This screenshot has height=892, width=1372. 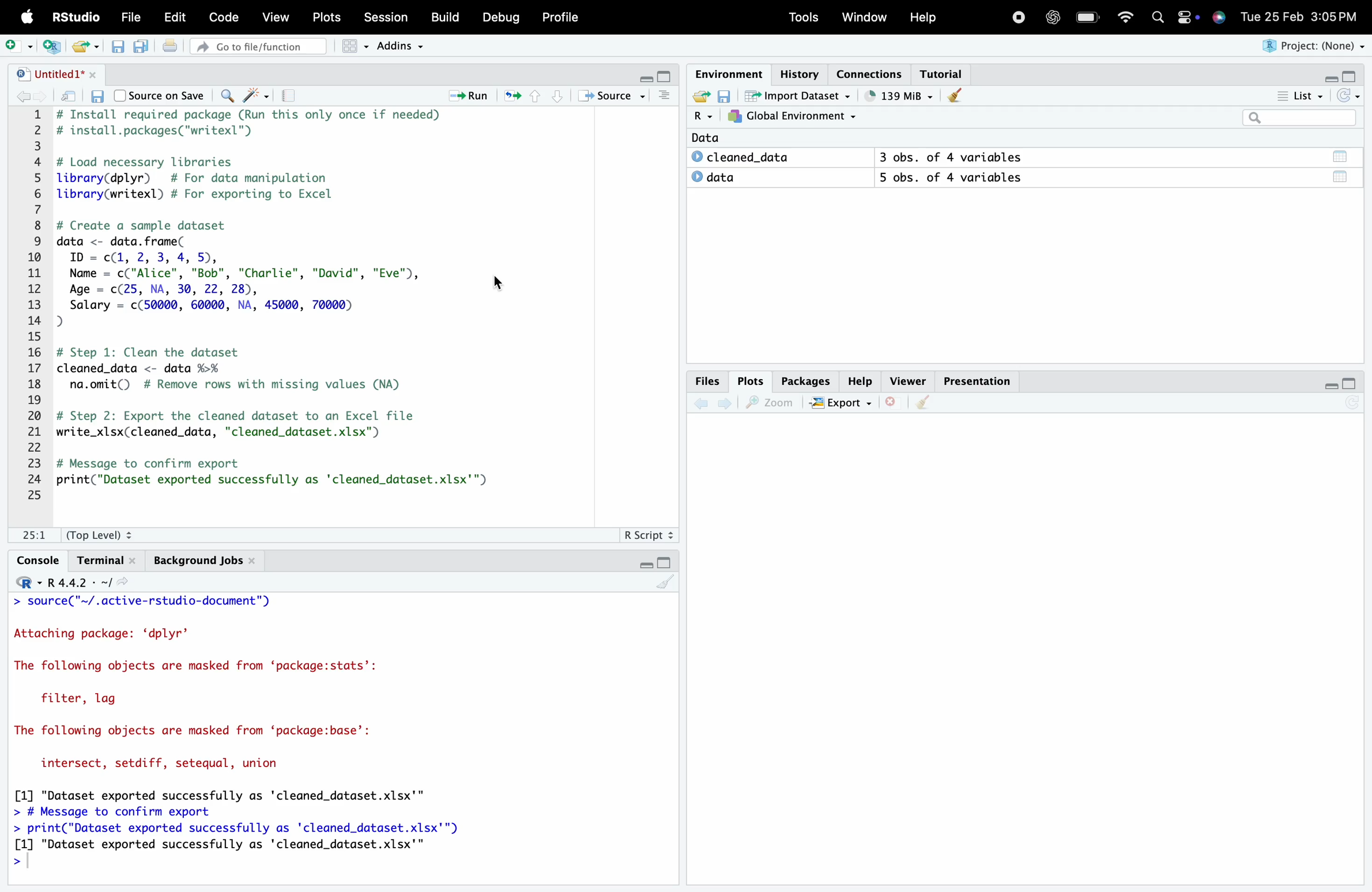 What do you see at coordinates (668, 584) in the screenshot?
I see `Clear console` at bounding box center [668, 584].